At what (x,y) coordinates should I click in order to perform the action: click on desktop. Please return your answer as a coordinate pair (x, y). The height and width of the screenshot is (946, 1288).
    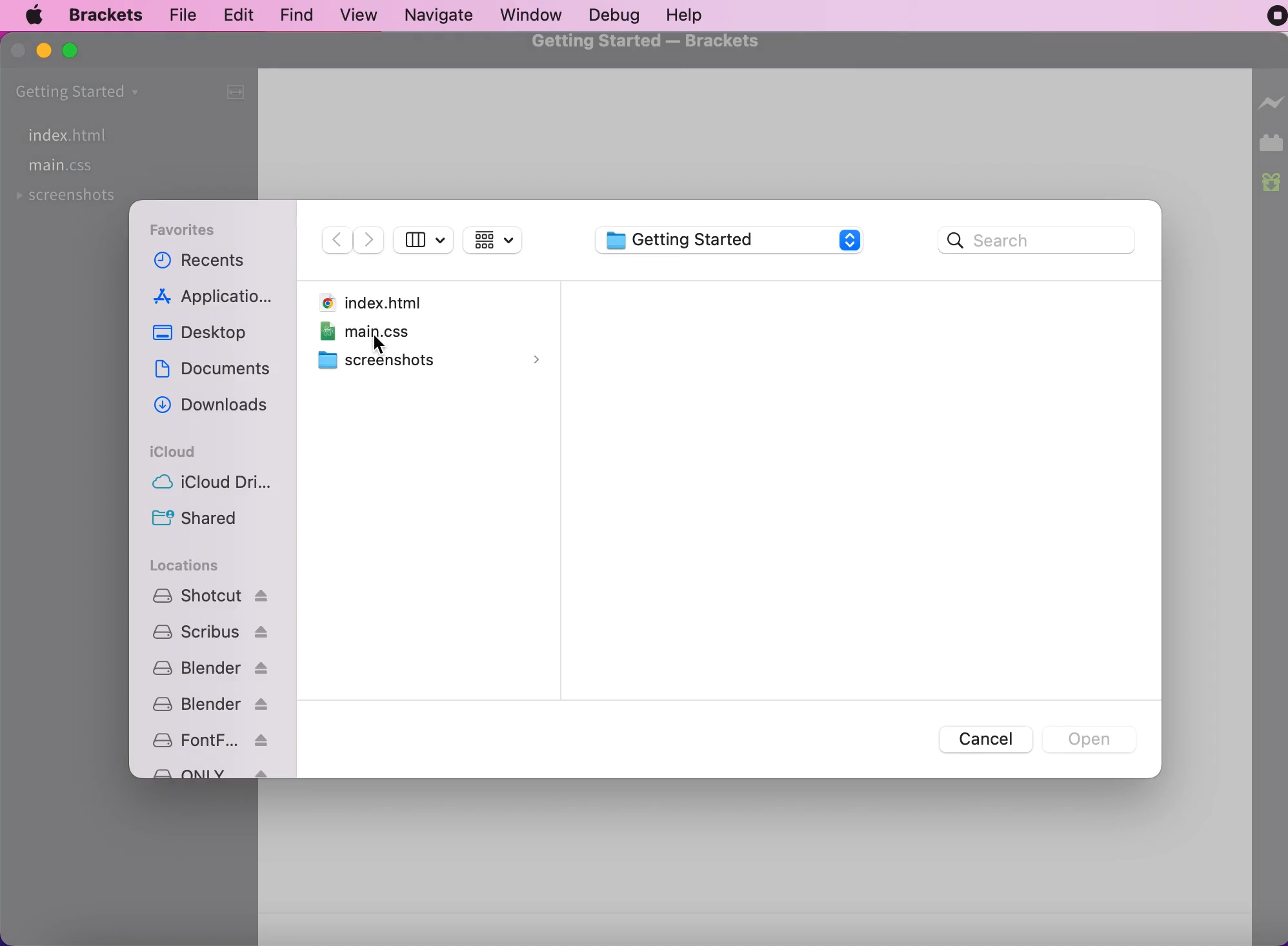
    Looking at the image, I should click on (208, 333).